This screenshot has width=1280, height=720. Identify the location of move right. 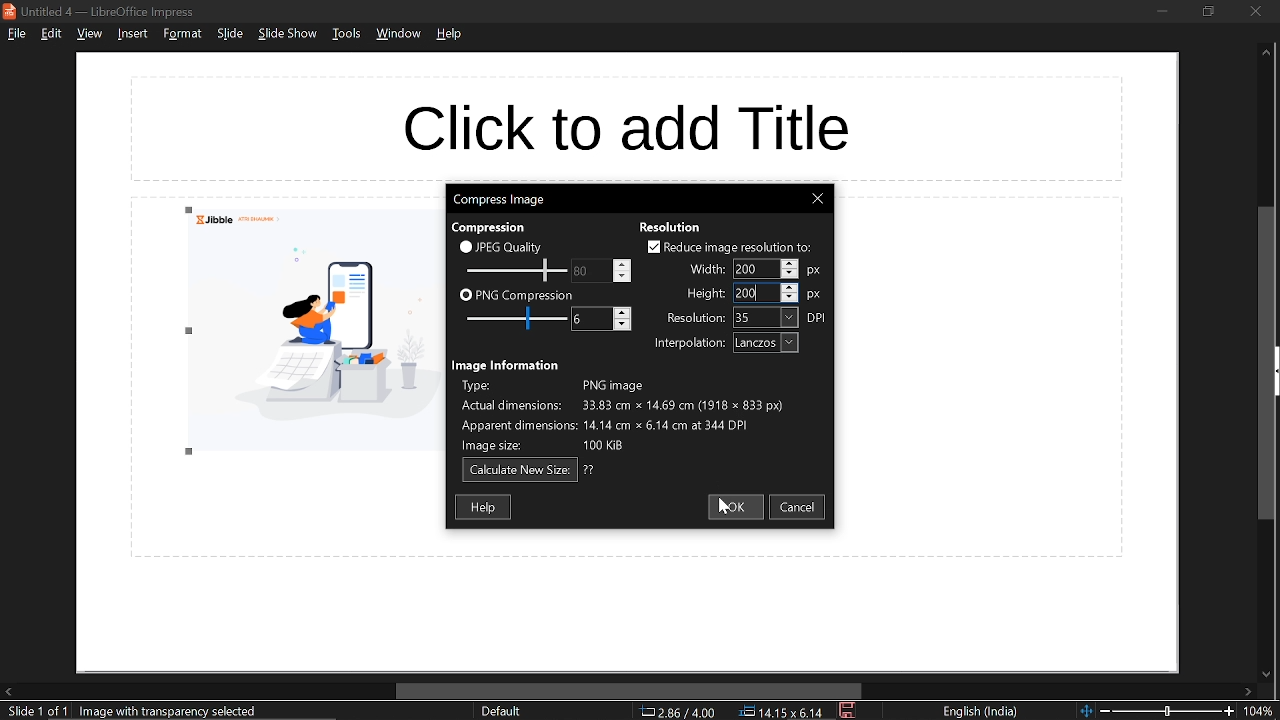
(1248, 693).